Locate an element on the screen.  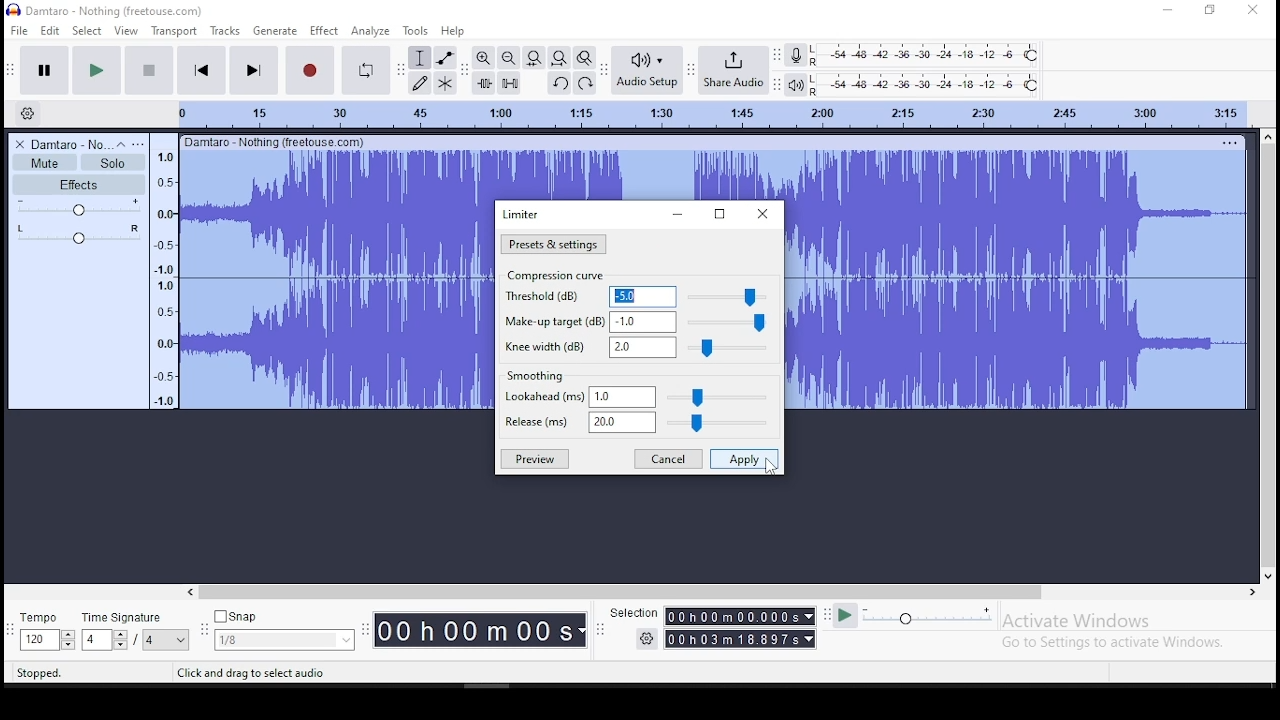
stop is located at coordinates (151, 70).